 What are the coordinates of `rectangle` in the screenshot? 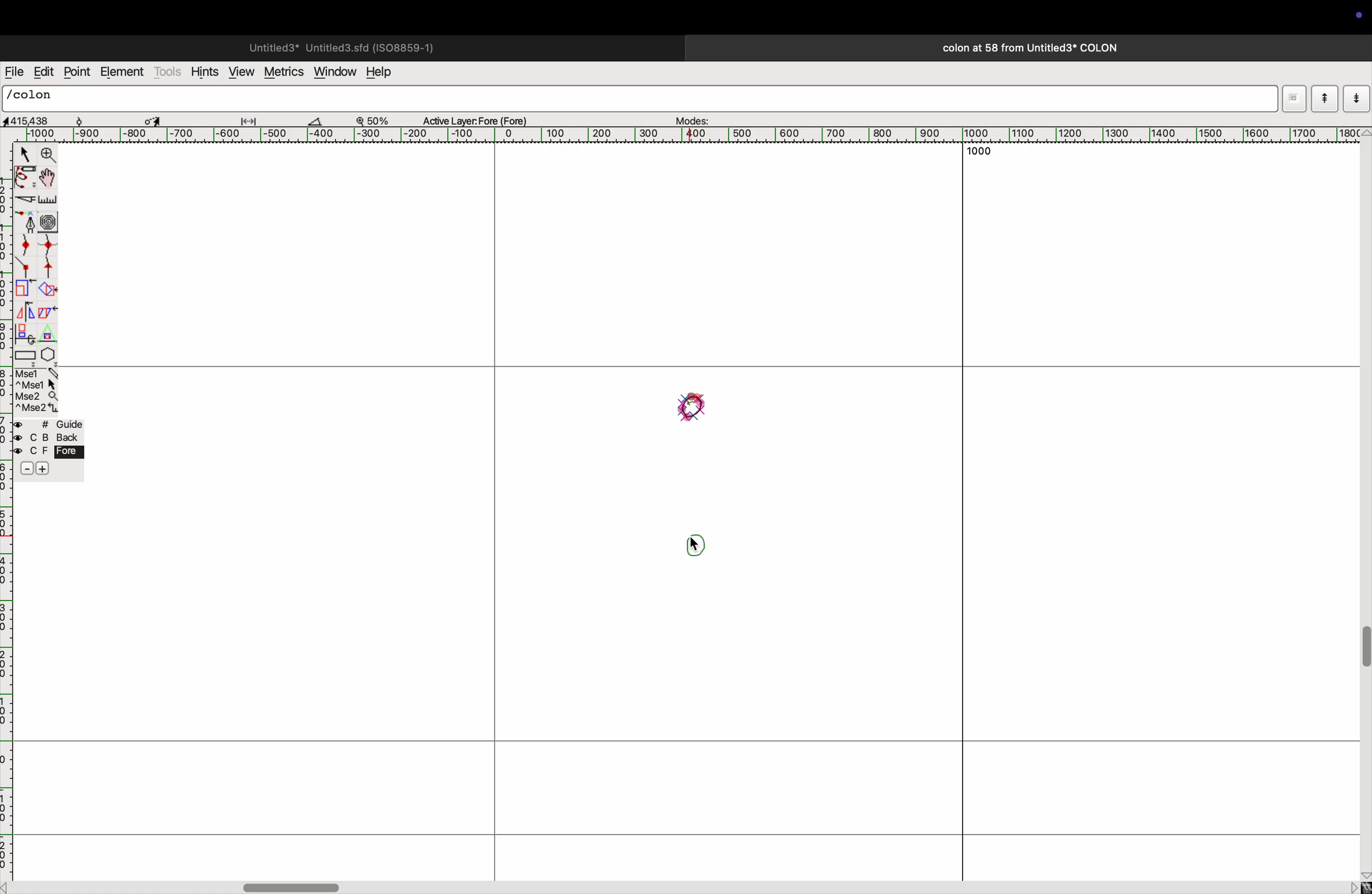 It's located at (25, 354).